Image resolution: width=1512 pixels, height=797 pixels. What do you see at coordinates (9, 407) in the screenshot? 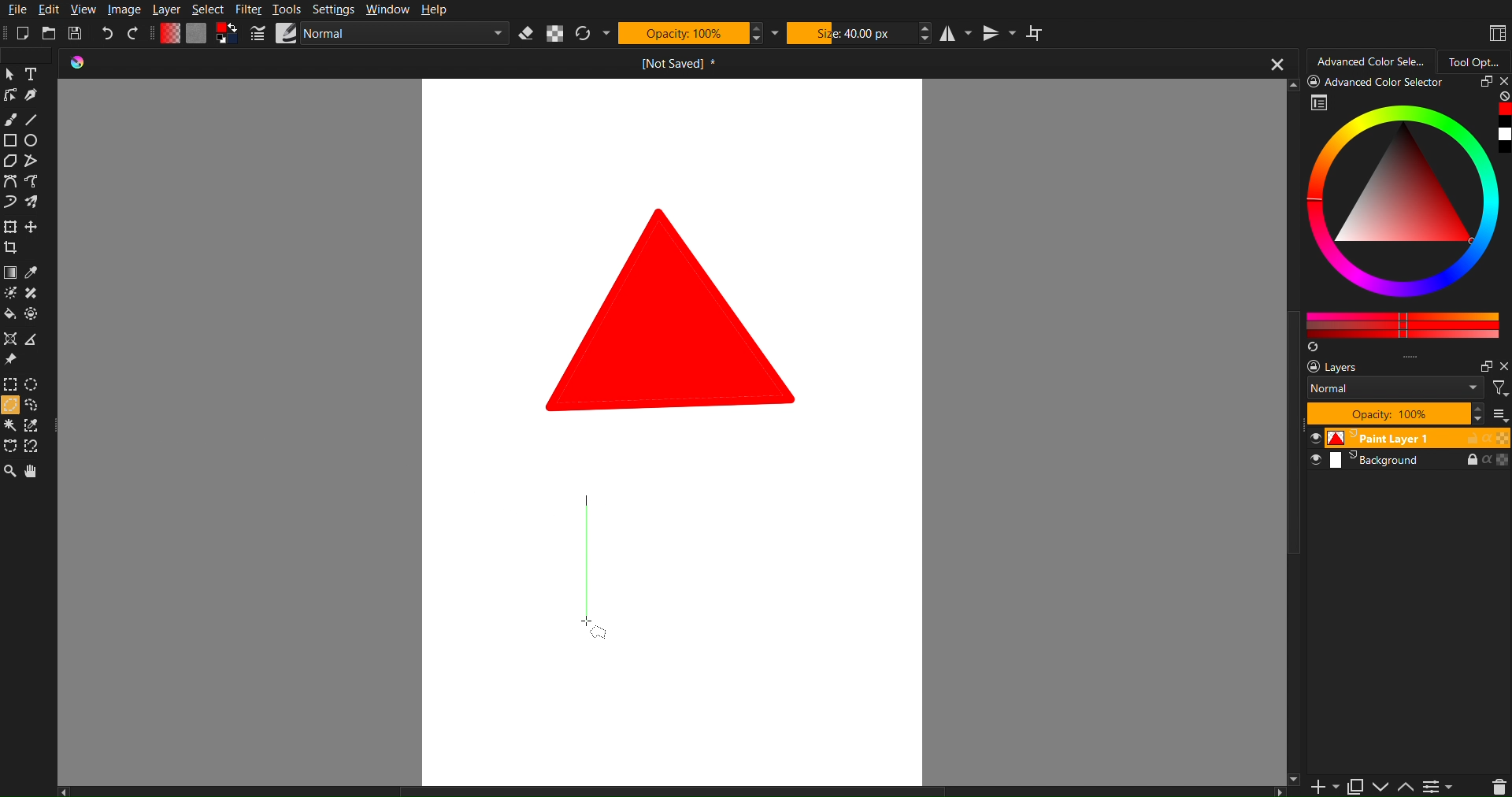
I see `Cursor` at bounding box center [9, 407].